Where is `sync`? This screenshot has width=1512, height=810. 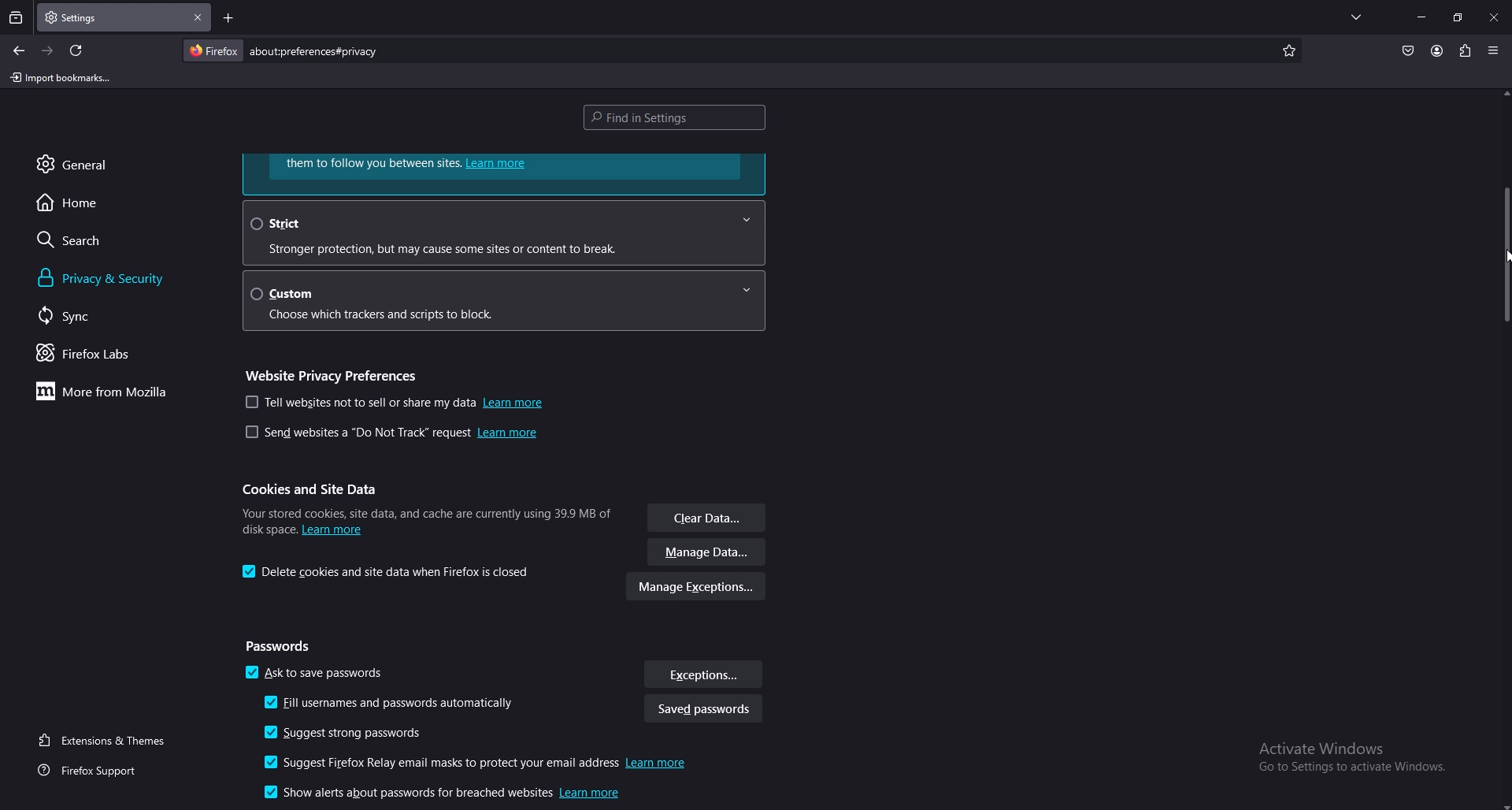
sync is located at coordinates (83, 316).